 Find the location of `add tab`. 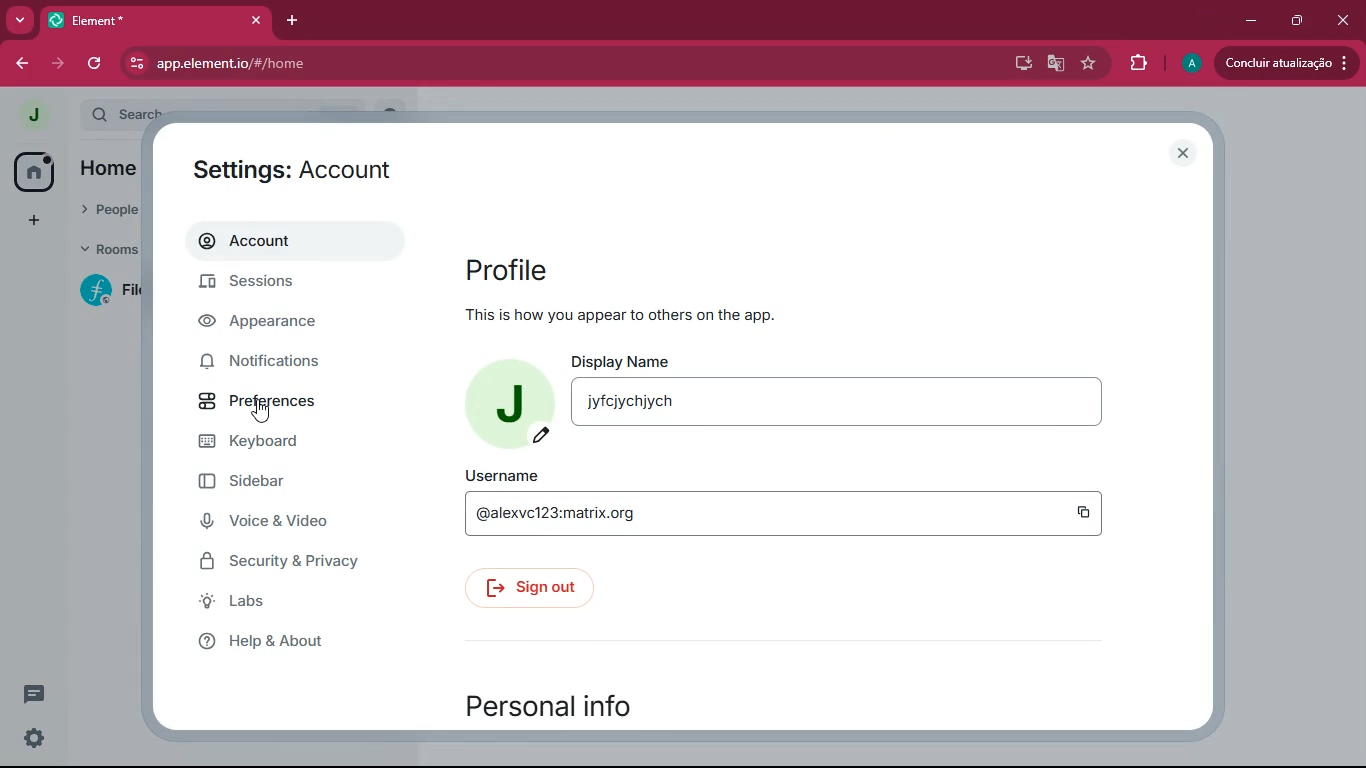

add tab is located at coordinates (293, 22).